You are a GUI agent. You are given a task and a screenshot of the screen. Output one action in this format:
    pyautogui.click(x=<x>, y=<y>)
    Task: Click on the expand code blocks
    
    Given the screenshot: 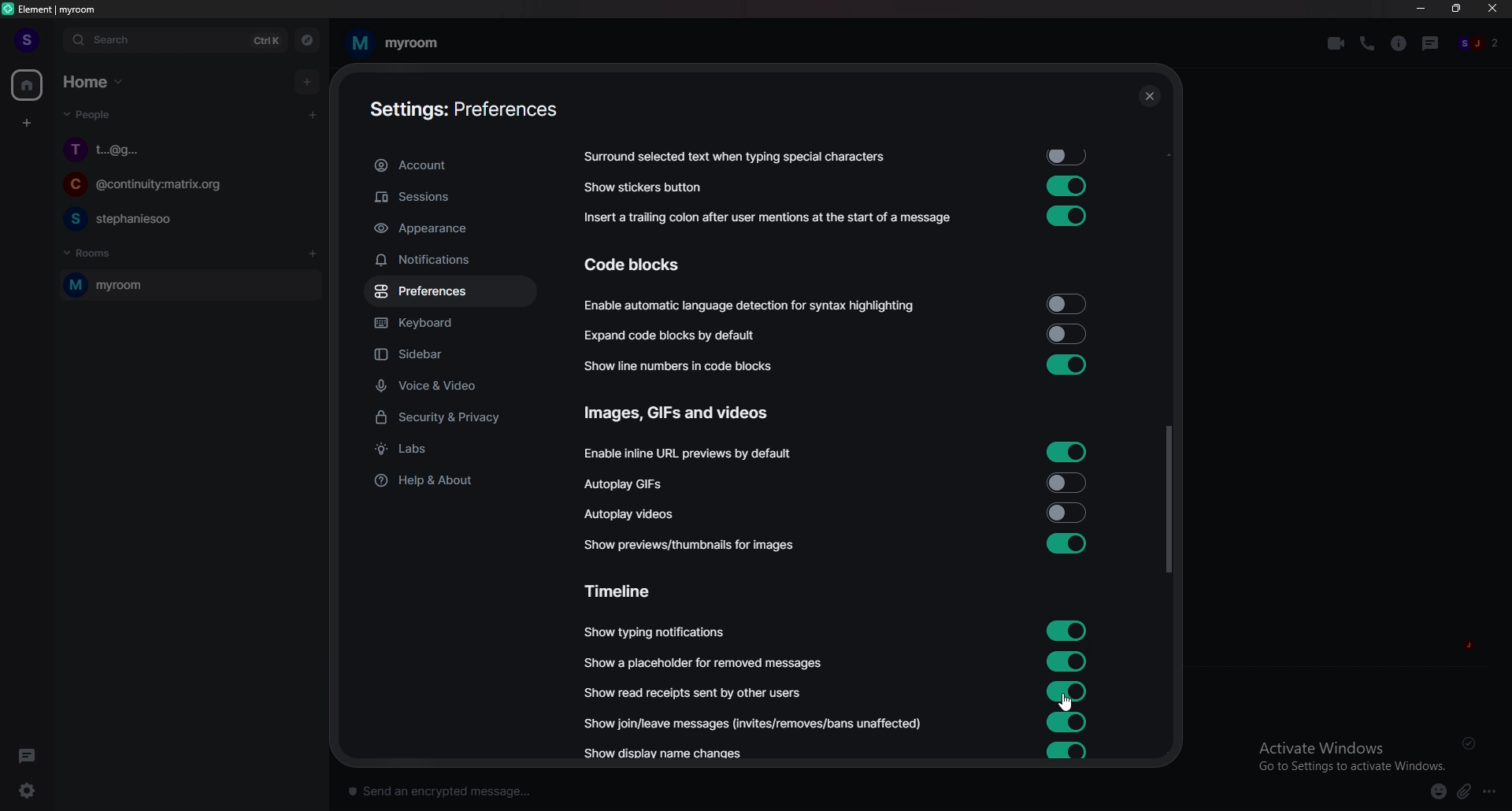 What is the action you would take?
    pyautogui.click(x=676, y=335)
    